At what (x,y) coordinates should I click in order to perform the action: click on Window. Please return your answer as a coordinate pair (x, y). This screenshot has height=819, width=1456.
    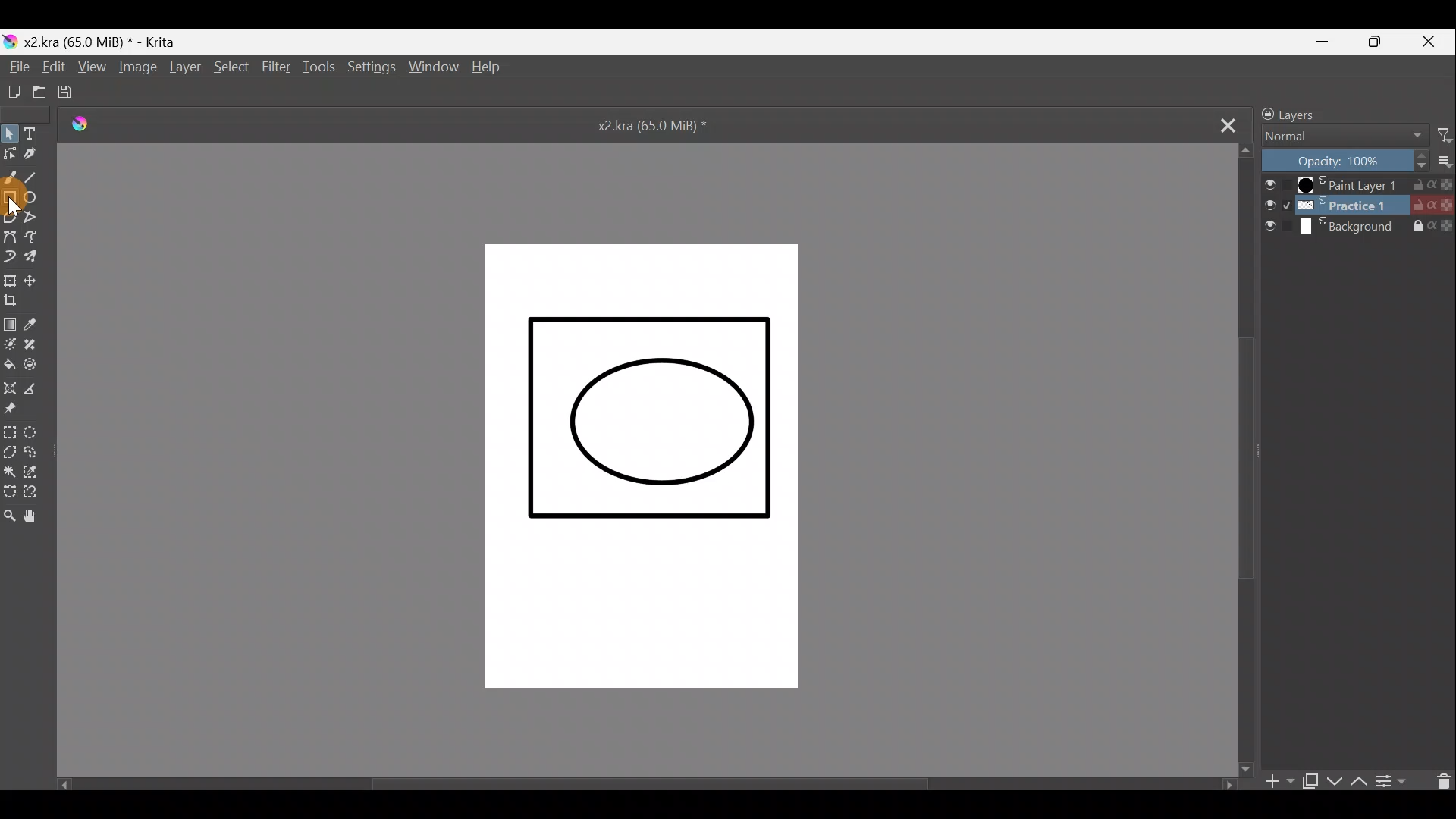
    Looking at the image, I should click on (431, 71).